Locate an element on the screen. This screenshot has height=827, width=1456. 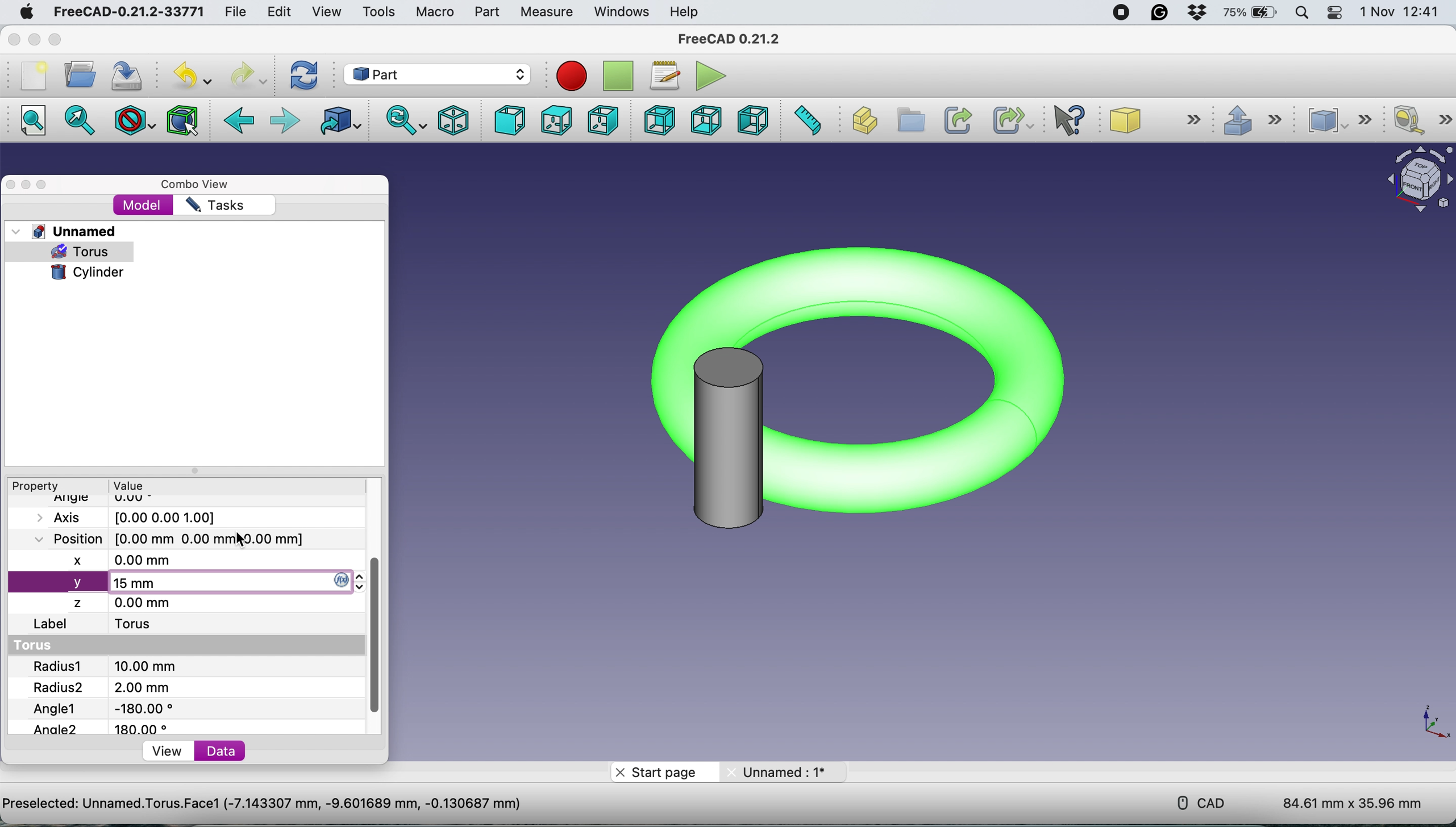
macros is located at coordinates (662, 74).